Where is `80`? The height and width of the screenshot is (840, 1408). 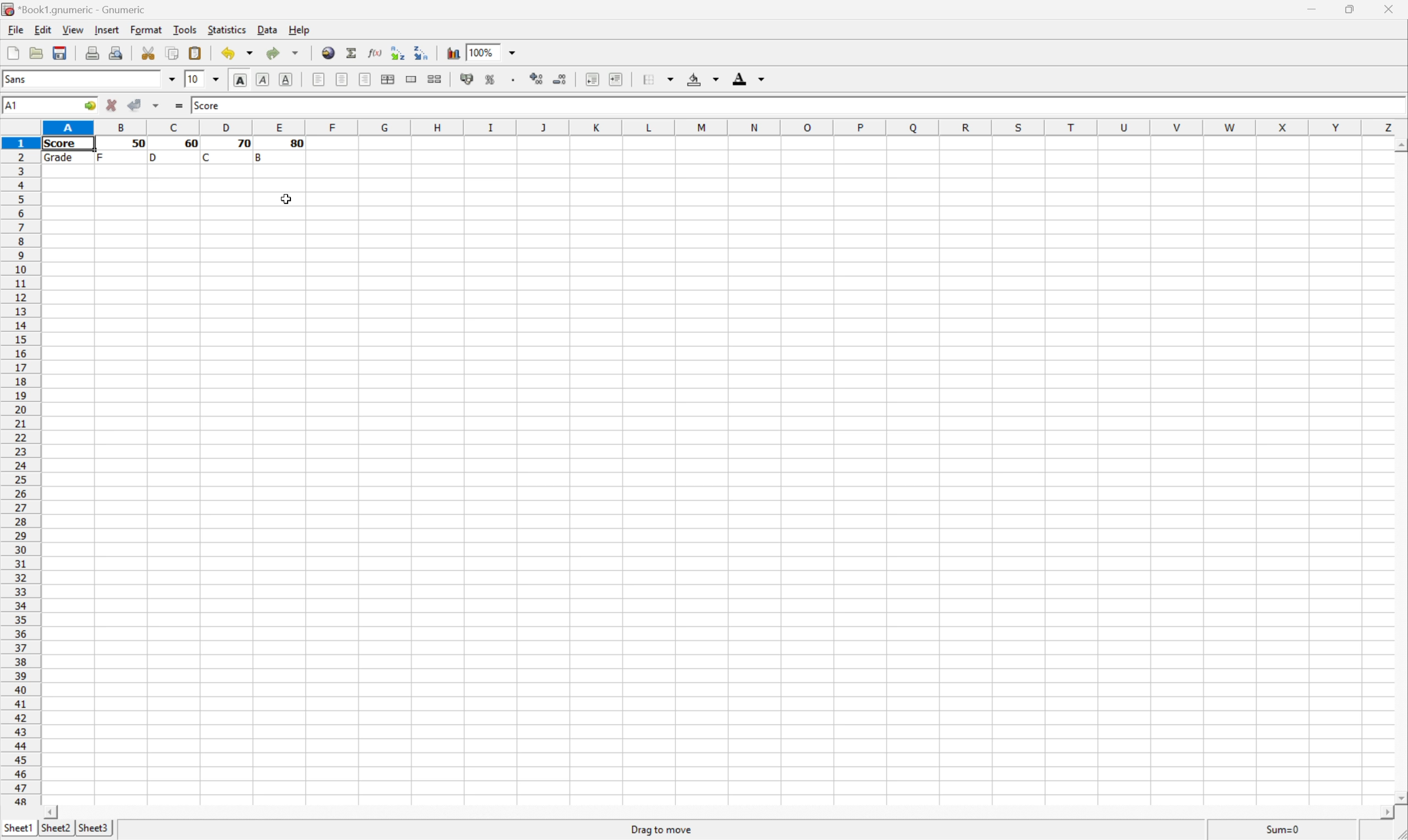 80 is located at coordinates (298, 145).